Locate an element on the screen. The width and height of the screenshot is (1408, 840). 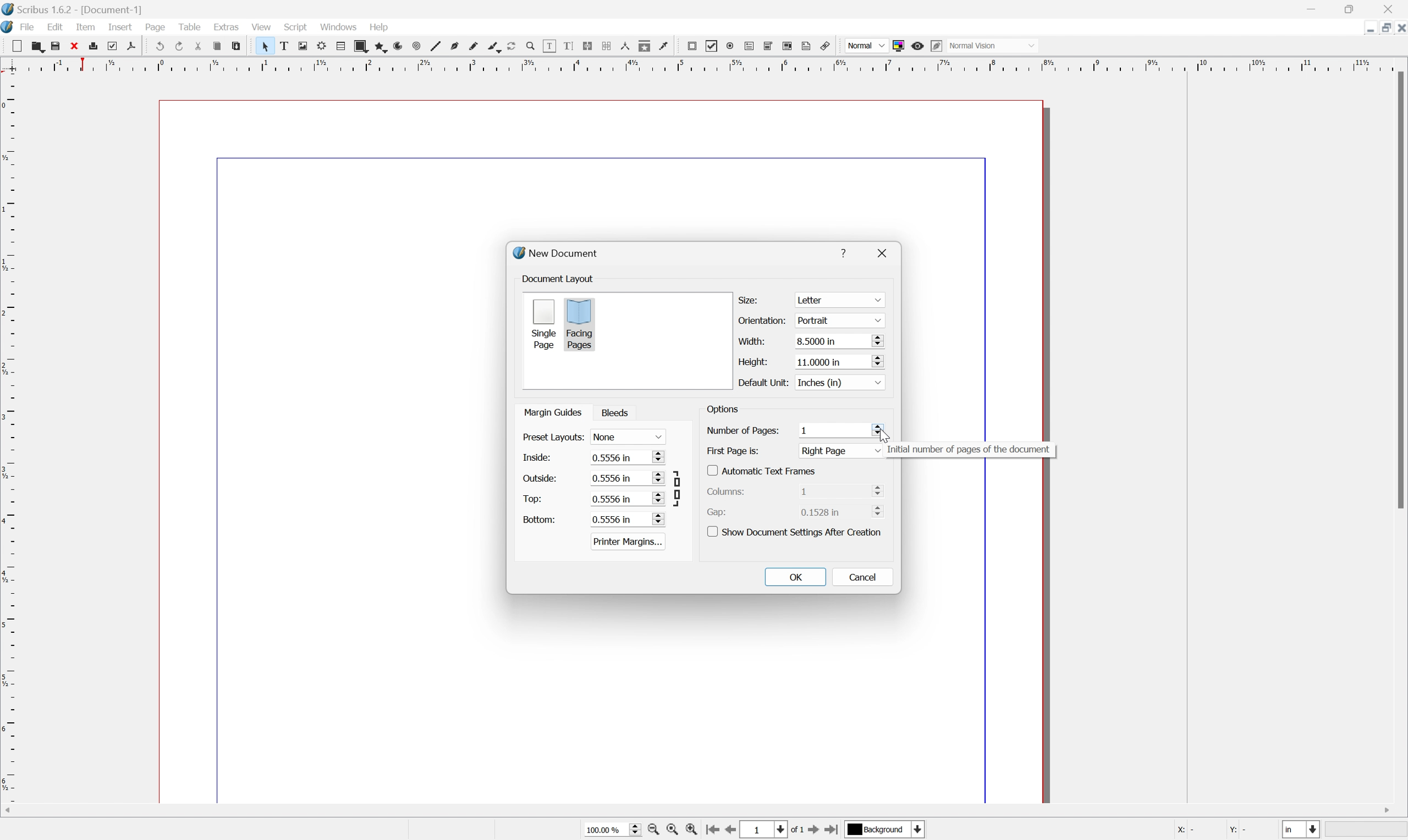
pdf radio button is located at coordinates (730, 44).